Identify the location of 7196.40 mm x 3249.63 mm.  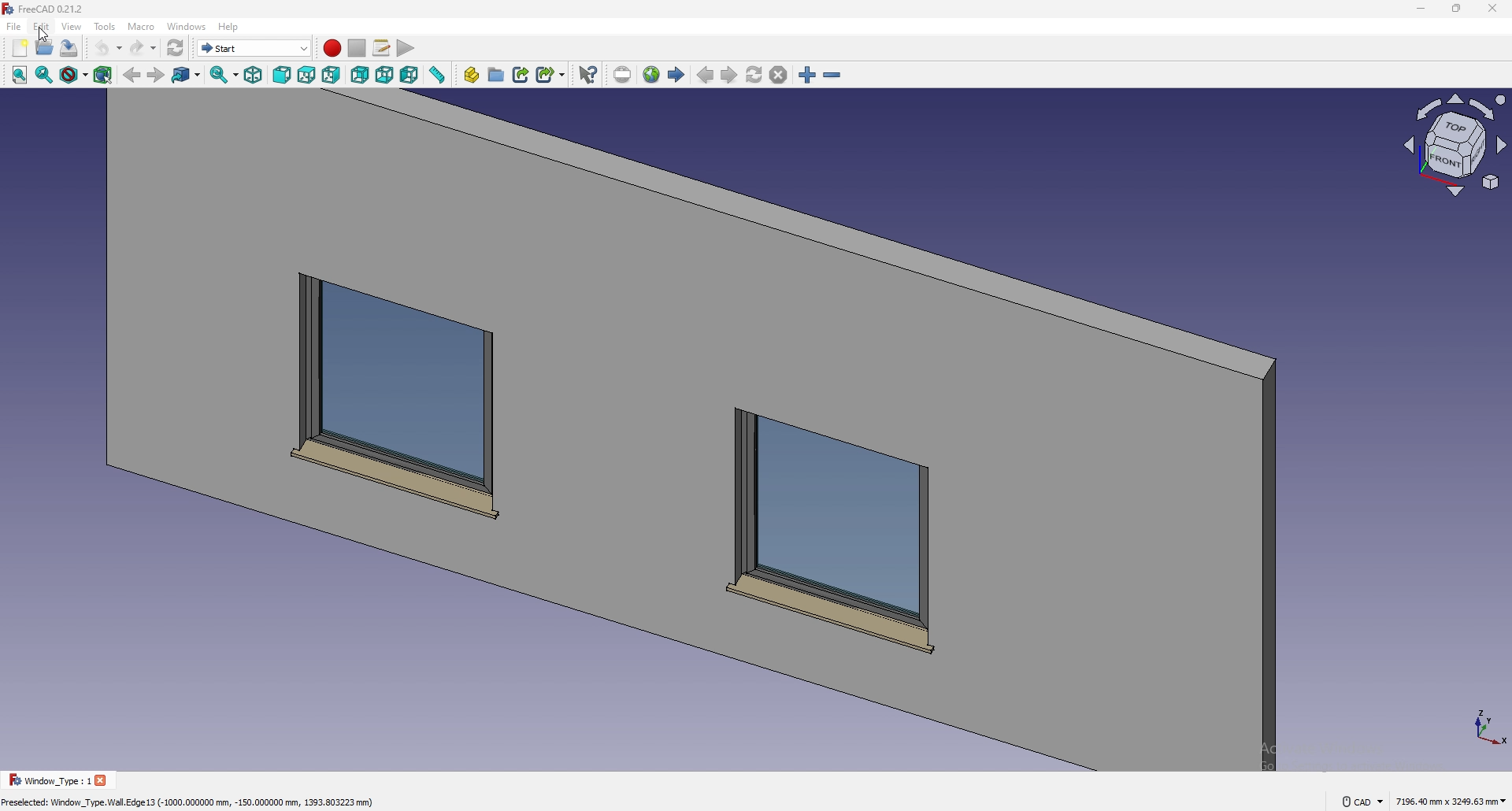
(1449, 801).